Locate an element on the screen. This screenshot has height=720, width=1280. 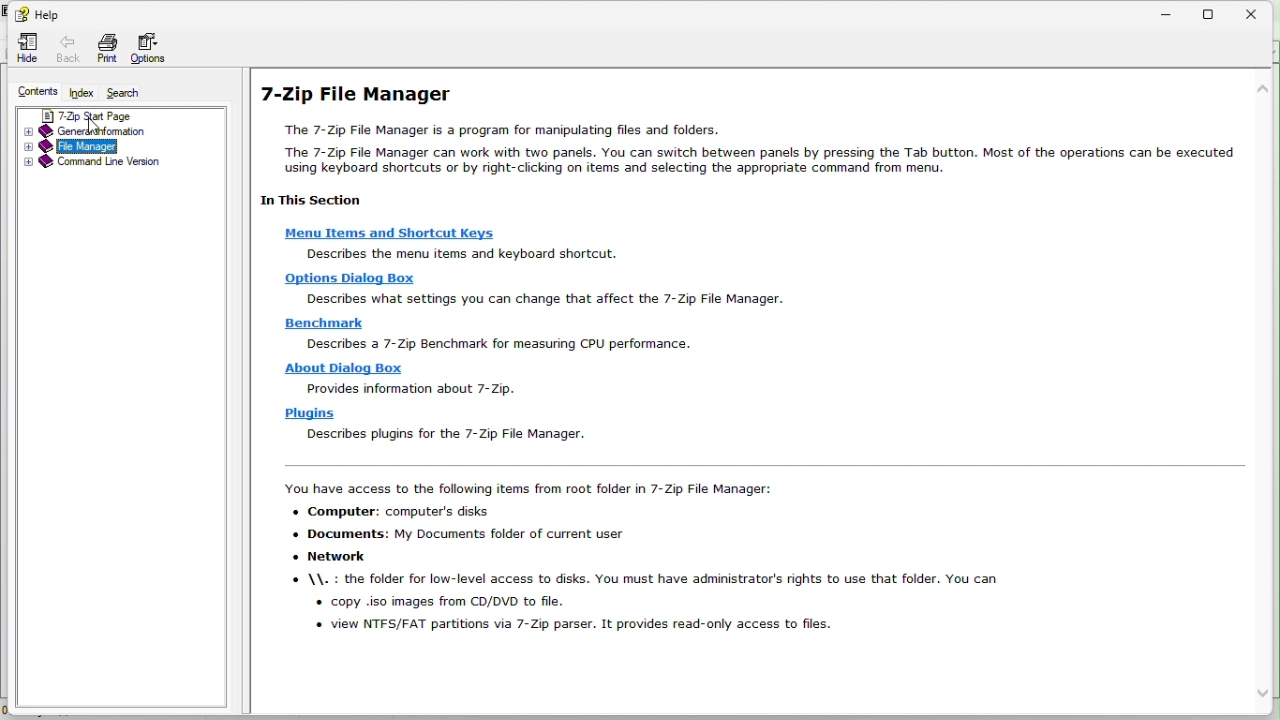
Options Dialogue box is located at coordinates (348, 278).